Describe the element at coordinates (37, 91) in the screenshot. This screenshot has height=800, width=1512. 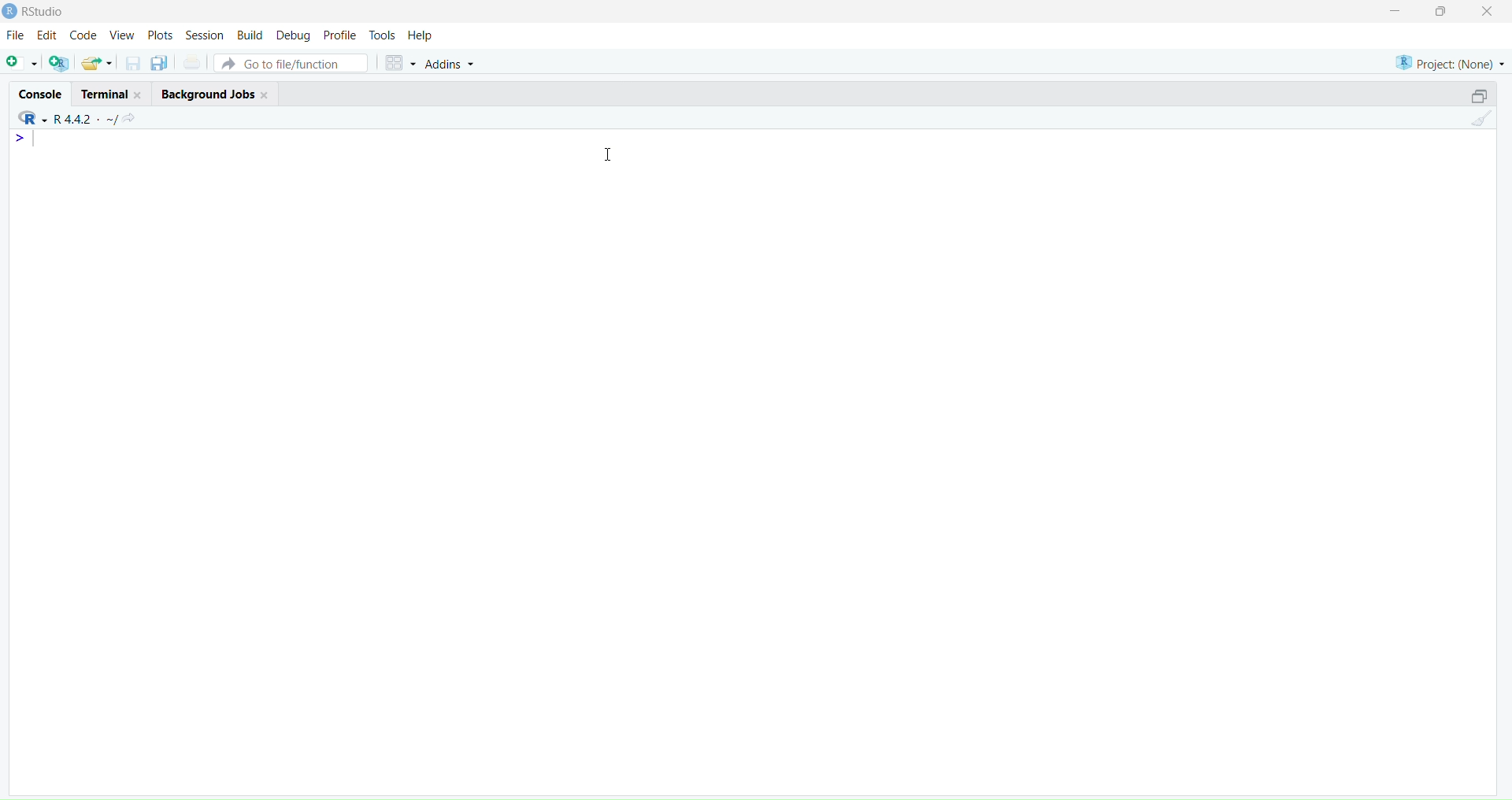
I see `Console` at that location.